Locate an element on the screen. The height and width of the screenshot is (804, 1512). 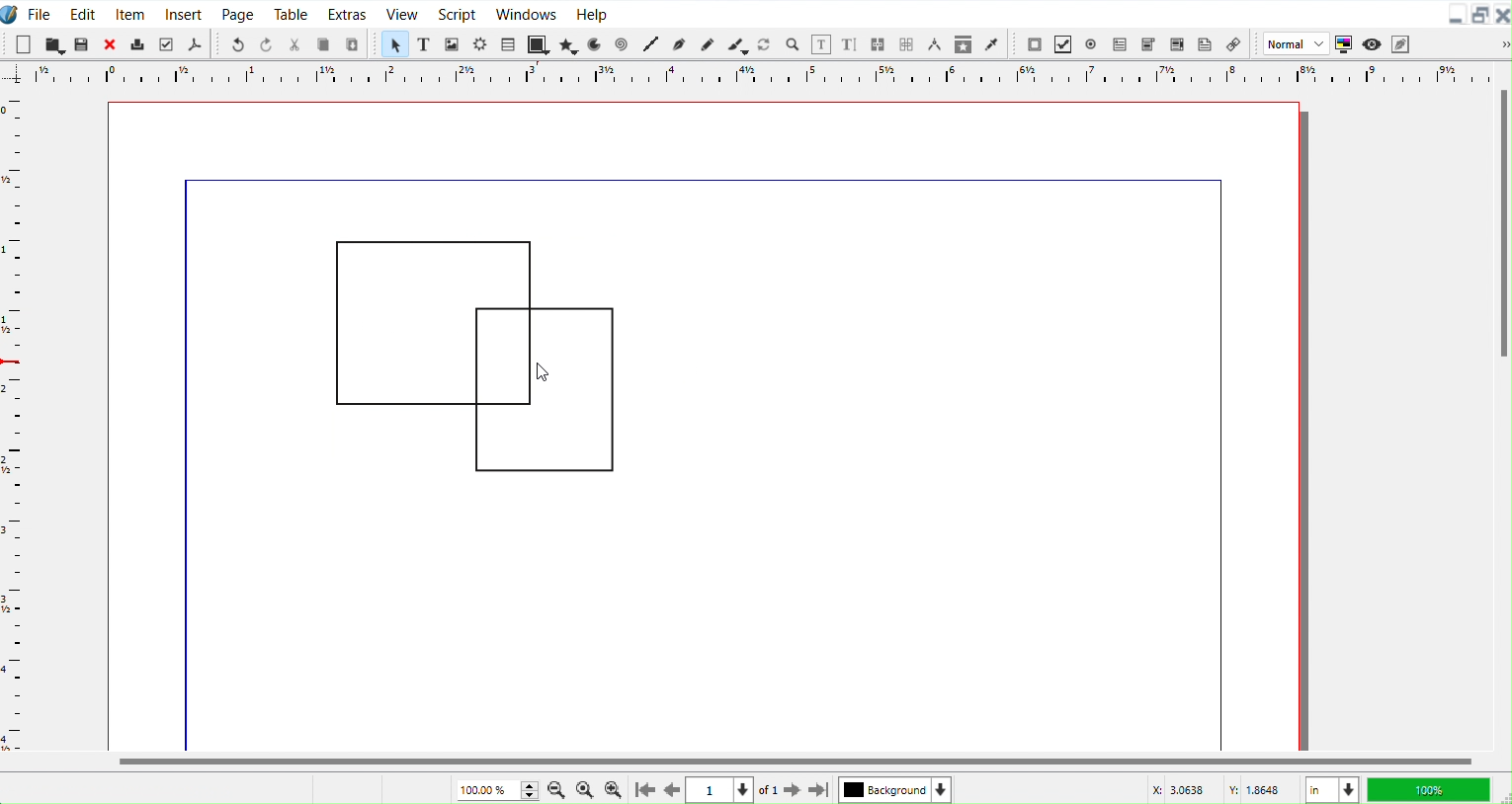
Horizontal Scale bar is located at coordinates (15, 423).